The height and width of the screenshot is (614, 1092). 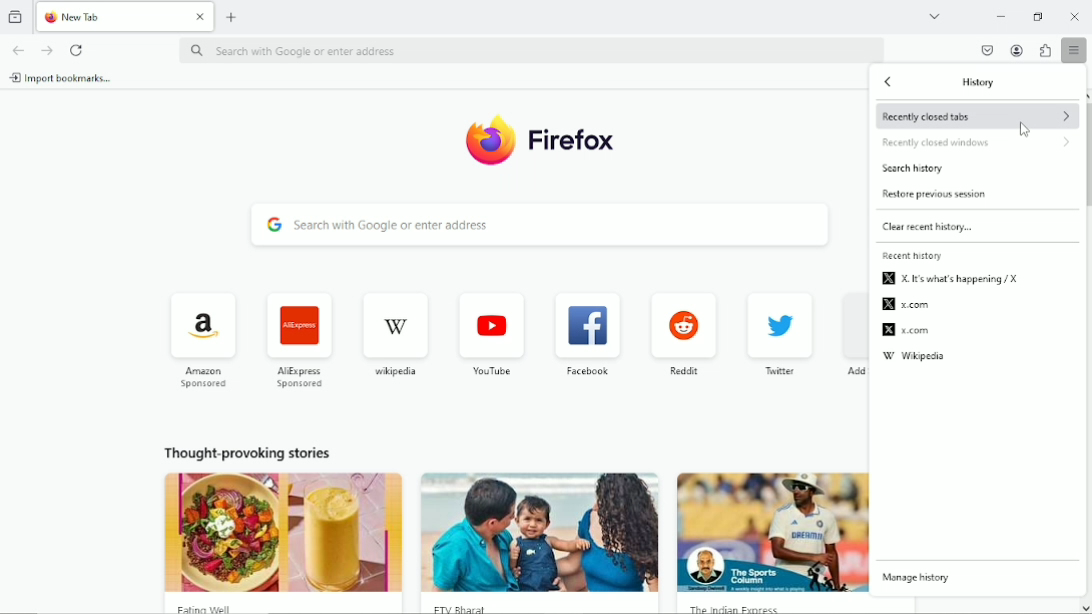 What do you see at coordinates (1017, 51) in the screenshot?
I see `account` at bounding box center [1017, 51].